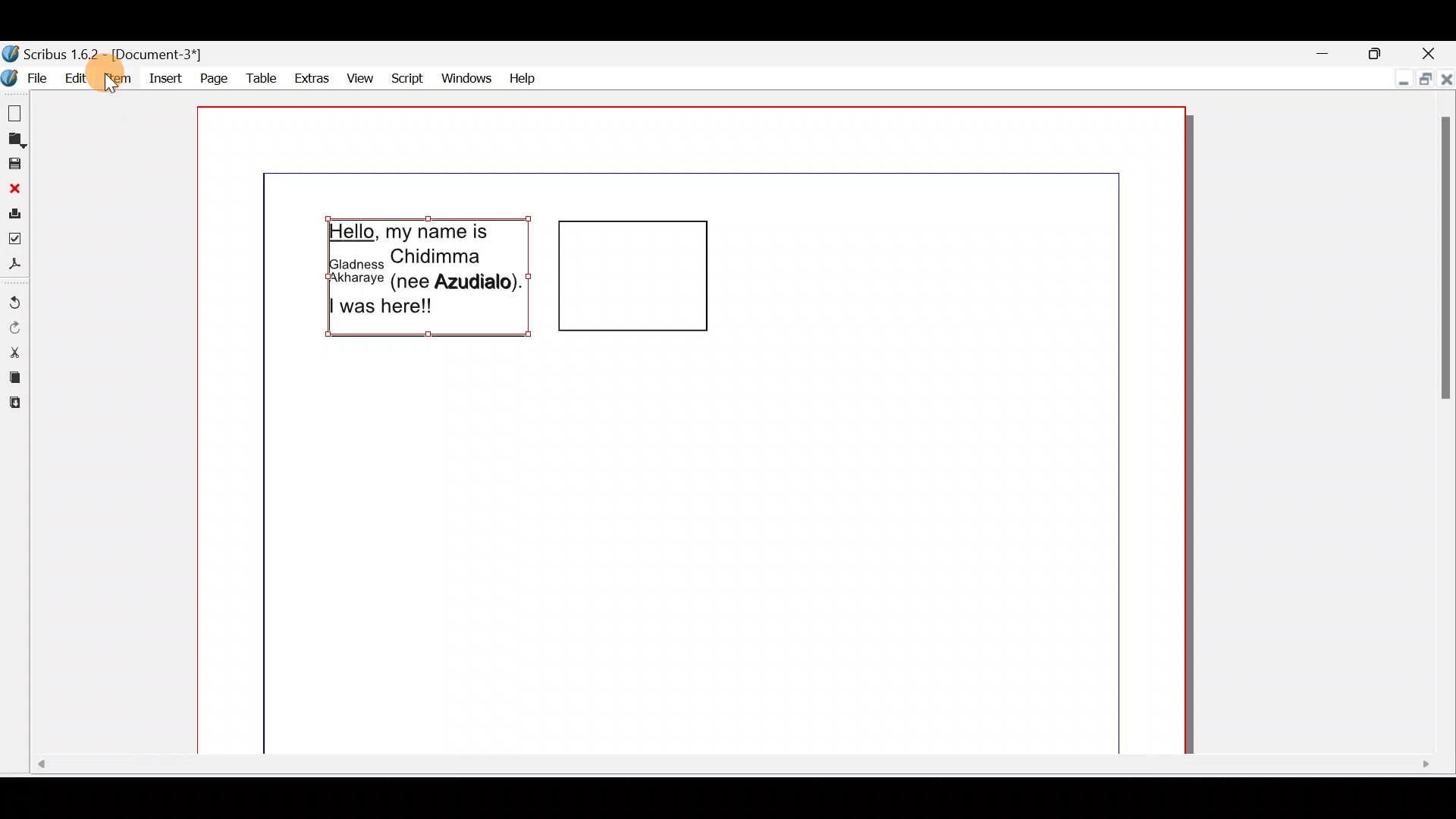 The image size is (1456, 819). What do you see at coordinates (15, 352) in the screenshot?
I see `Cut` at bounding box center [15, 352].